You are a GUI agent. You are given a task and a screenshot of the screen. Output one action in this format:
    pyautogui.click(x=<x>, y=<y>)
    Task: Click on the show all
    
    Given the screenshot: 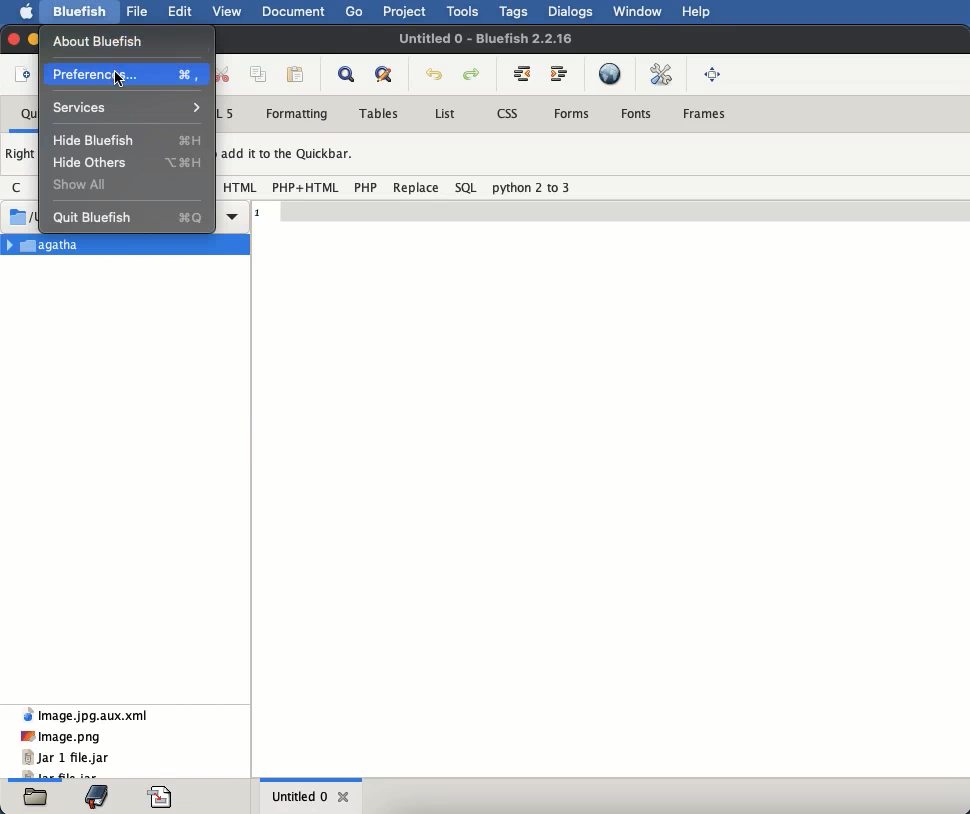 What is the action you would take?
    pyautogui.click(x=82, y=184)
    